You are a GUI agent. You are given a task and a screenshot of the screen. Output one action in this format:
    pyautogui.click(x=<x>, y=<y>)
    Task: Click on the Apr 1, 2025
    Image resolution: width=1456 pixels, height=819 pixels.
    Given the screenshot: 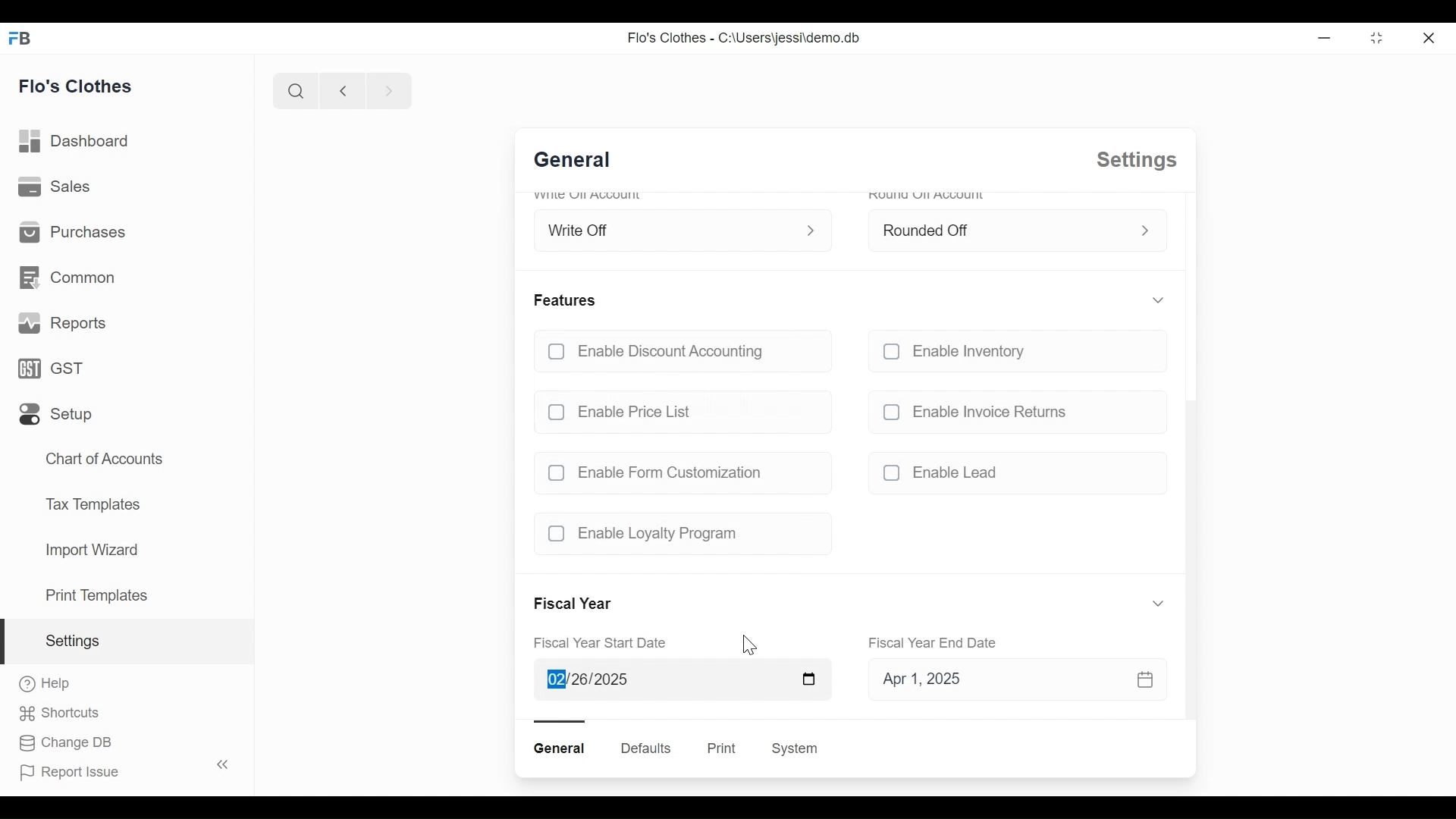 What is the action you would take?
    pyautogui.click(x=1007, y=682)
    